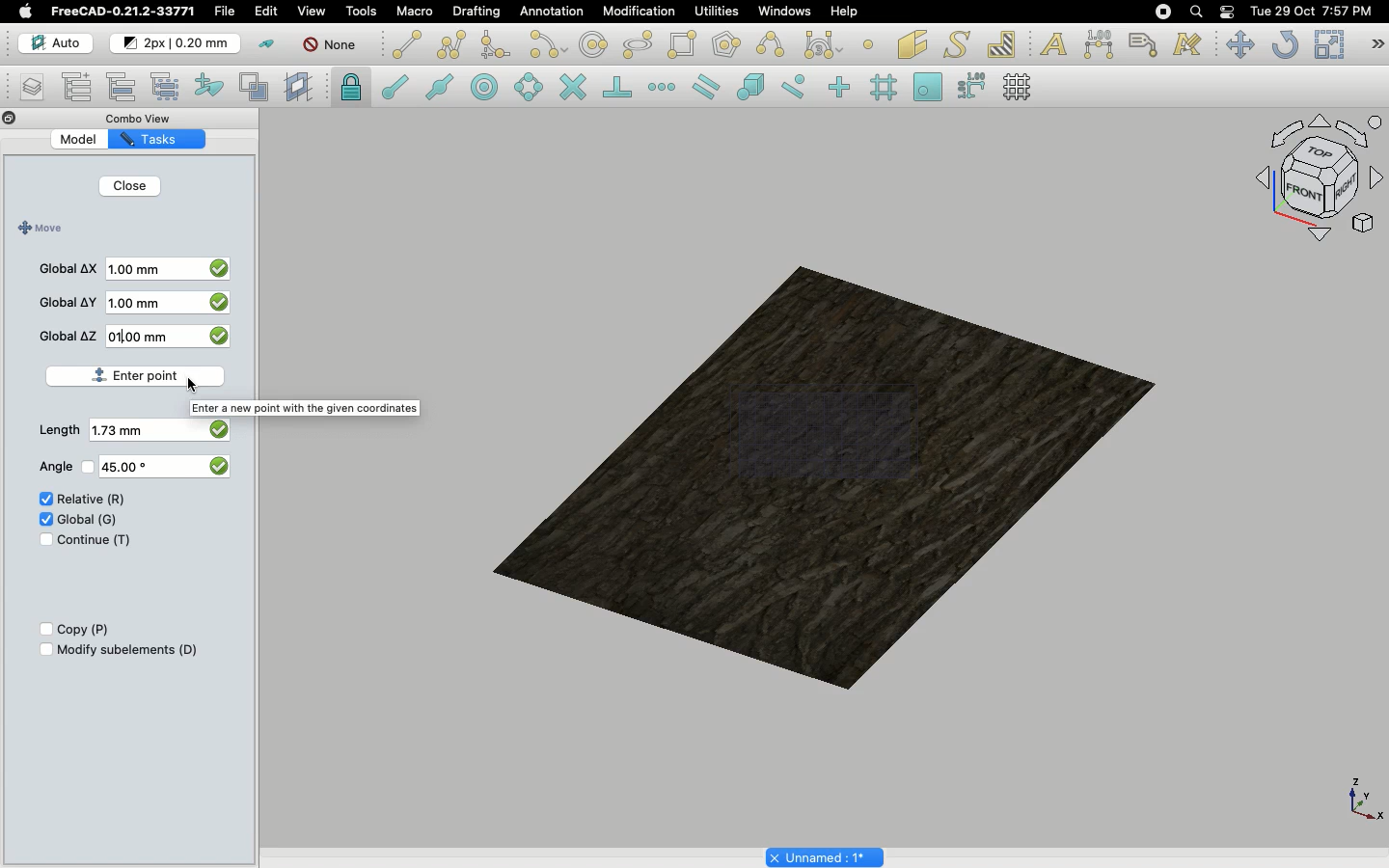 The width and height of the screenshot is (1389, 868). I want to click on 1.73, so click(123, 431).